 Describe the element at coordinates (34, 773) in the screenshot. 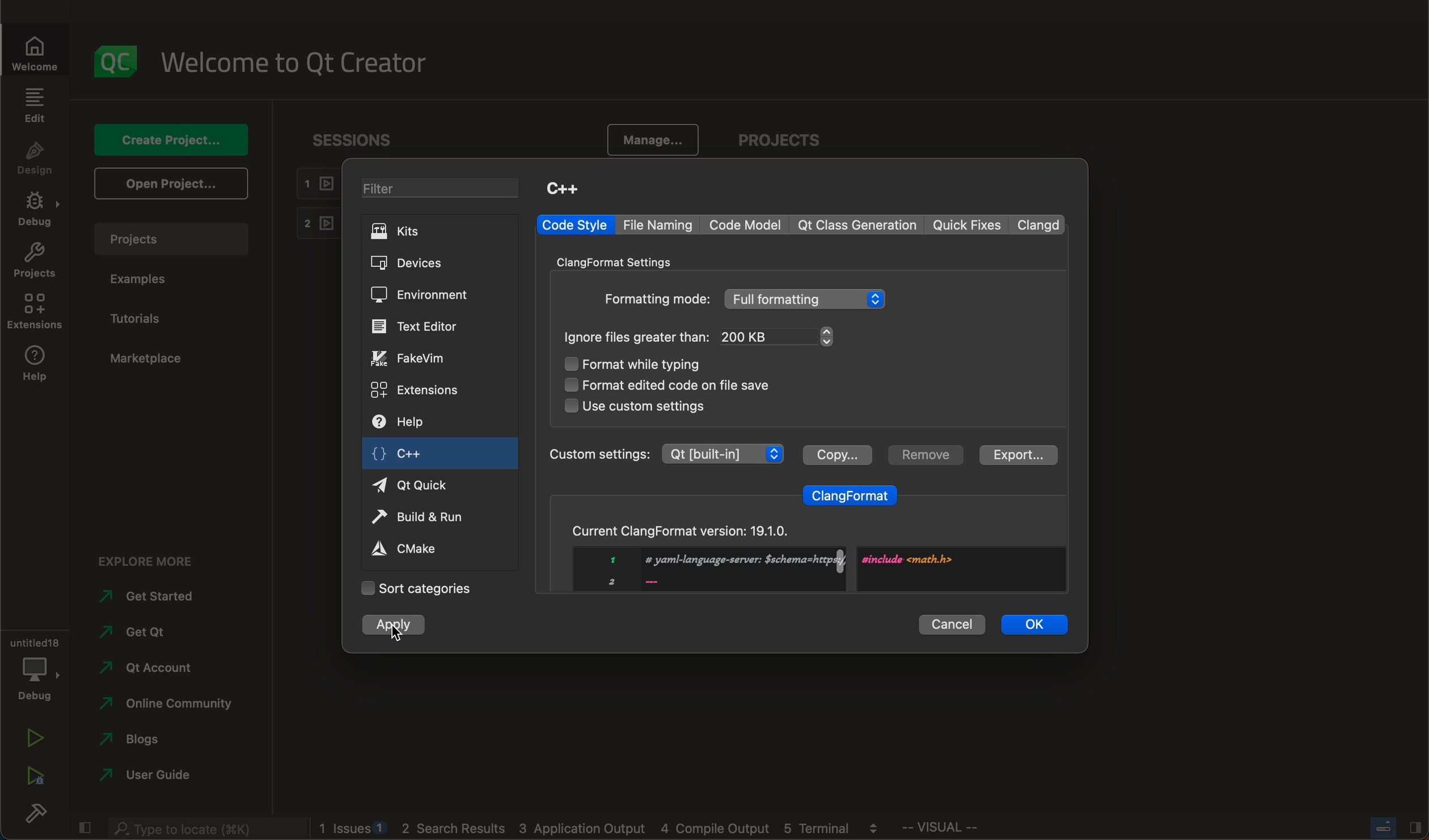

I see `run debug` at that location.